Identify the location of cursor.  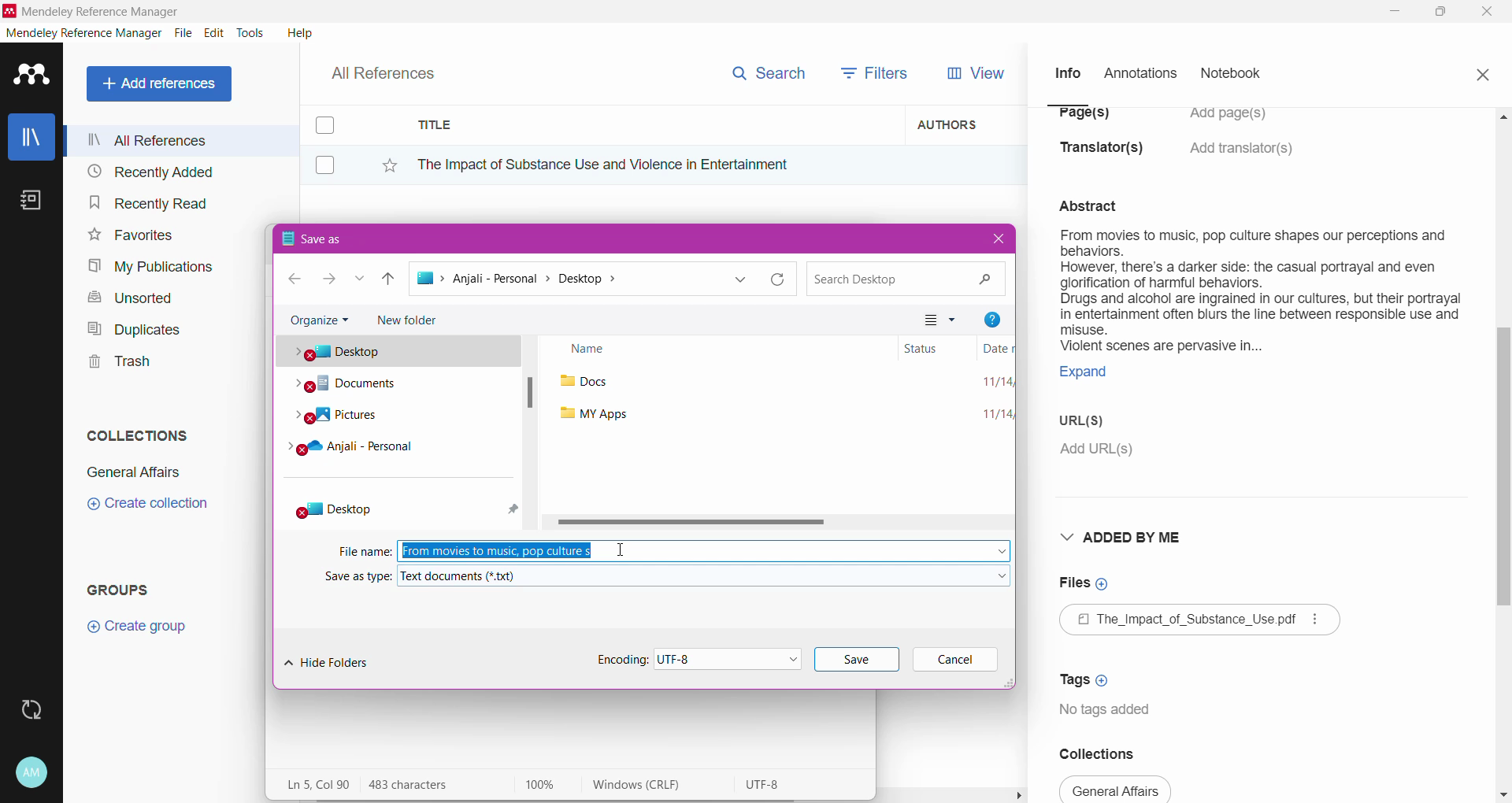
(619, 550).